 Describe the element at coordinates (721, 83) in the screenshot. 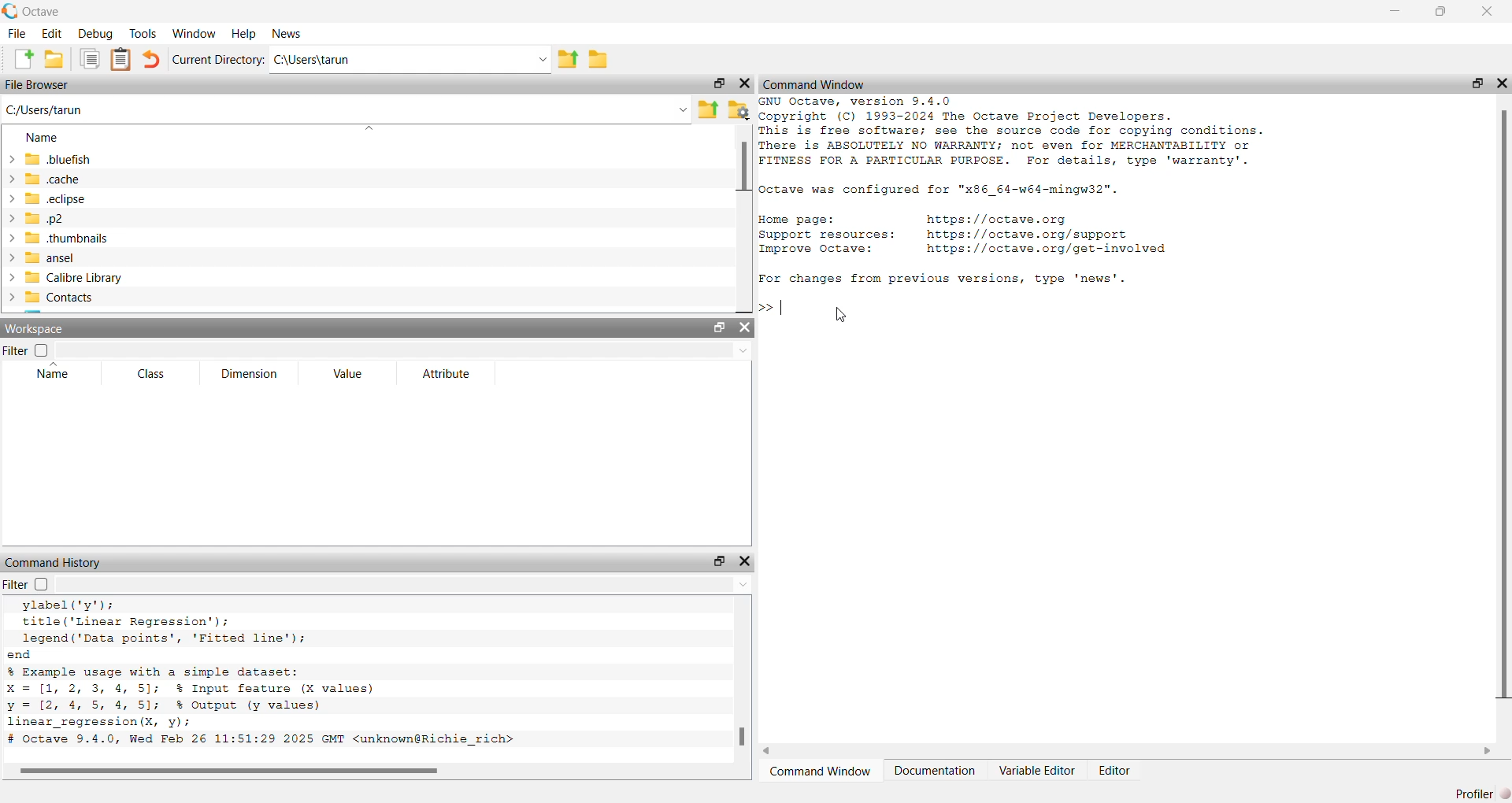

I see `unlock widget` at that location.